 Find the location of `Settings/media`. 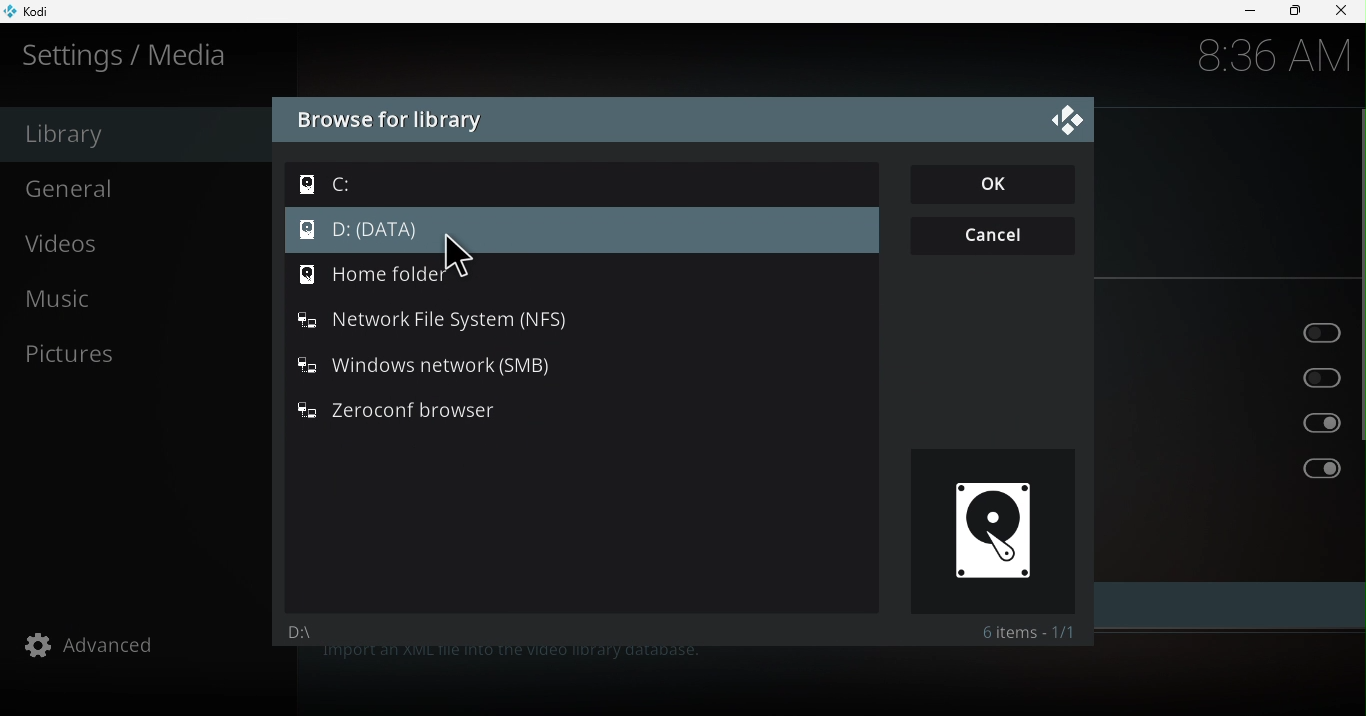

Settings/media is located at coordinates (130, 55).